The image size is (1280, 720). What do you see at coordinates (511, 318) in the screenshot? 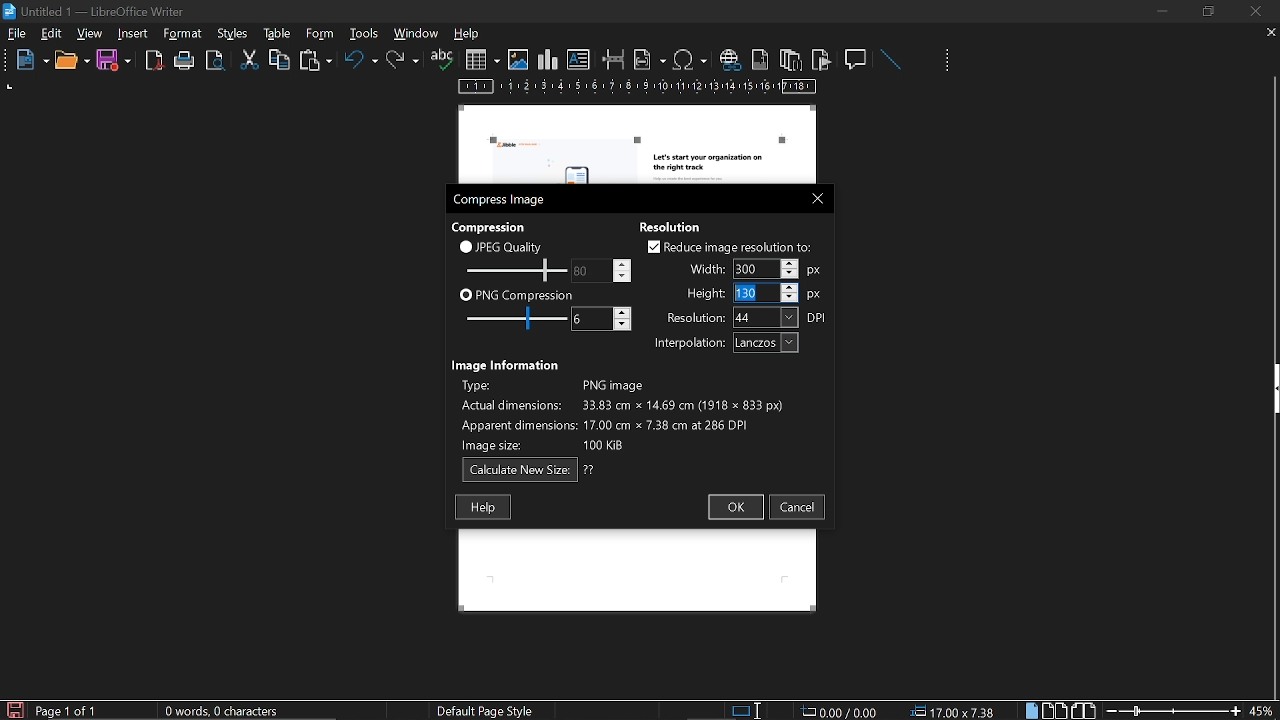
I see `png compression scale` at bounding box center [511, 318].